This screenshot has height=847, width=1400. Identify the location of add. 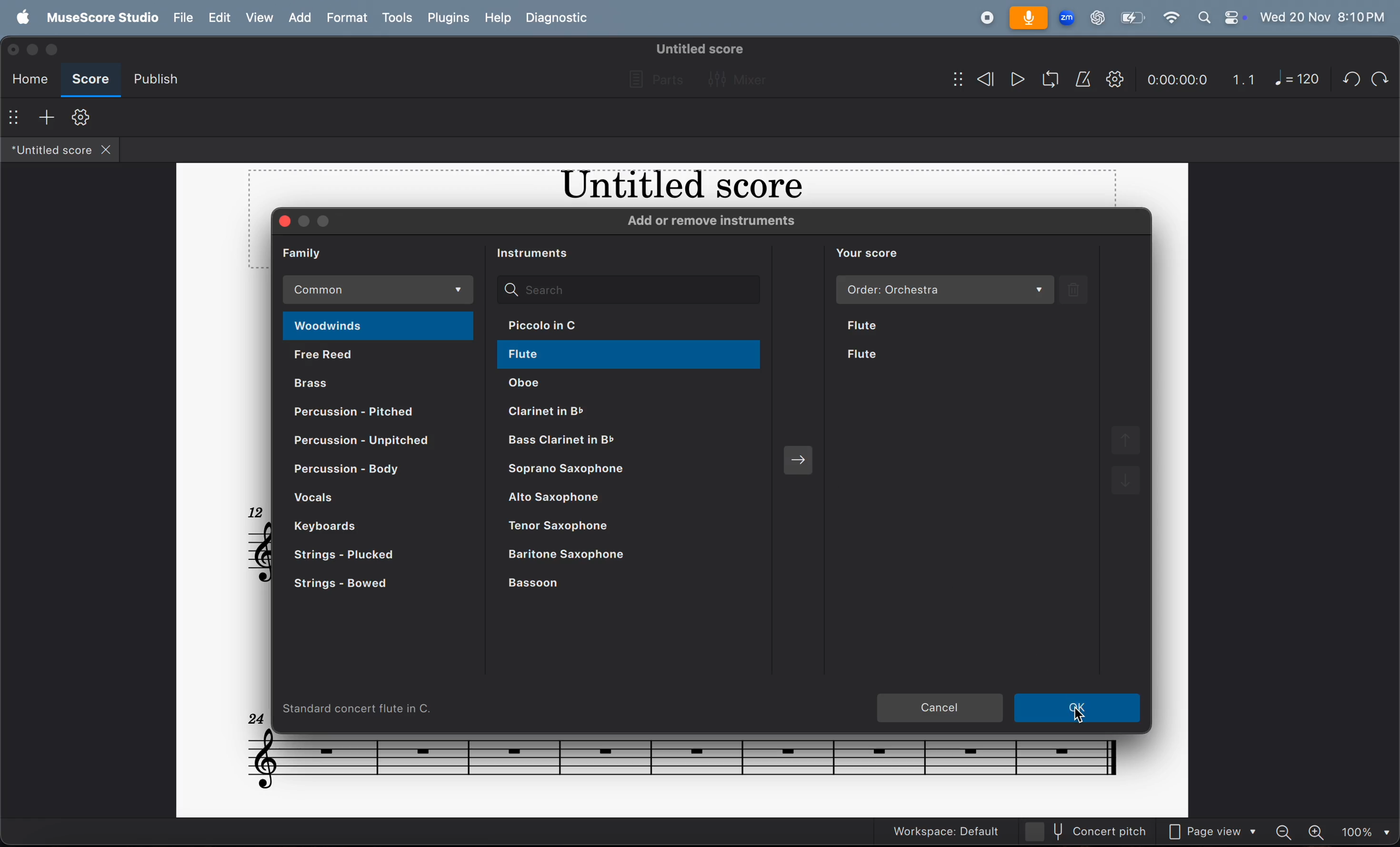
(299, 18).